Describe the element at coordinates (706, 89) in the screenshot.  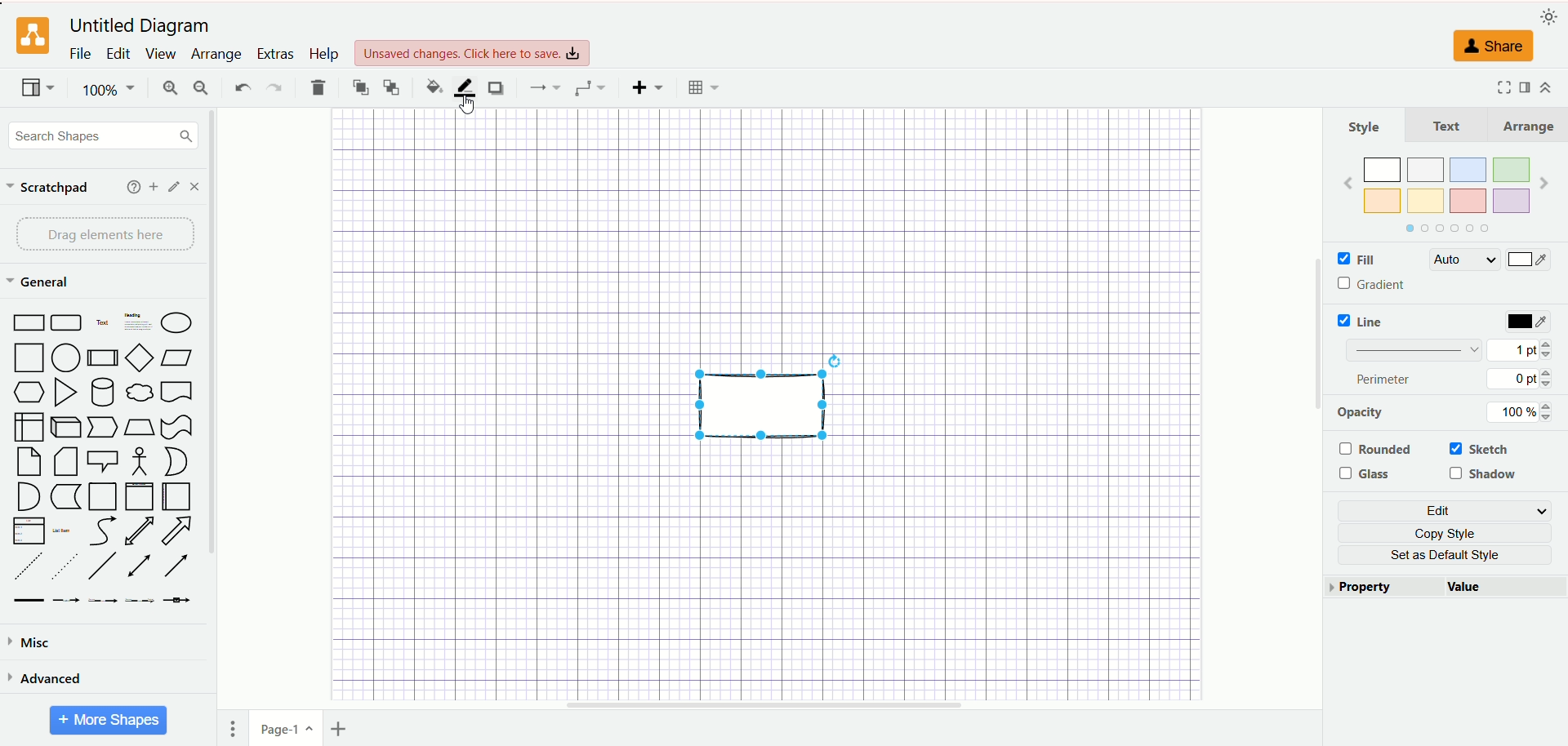
I see `table` at that location.